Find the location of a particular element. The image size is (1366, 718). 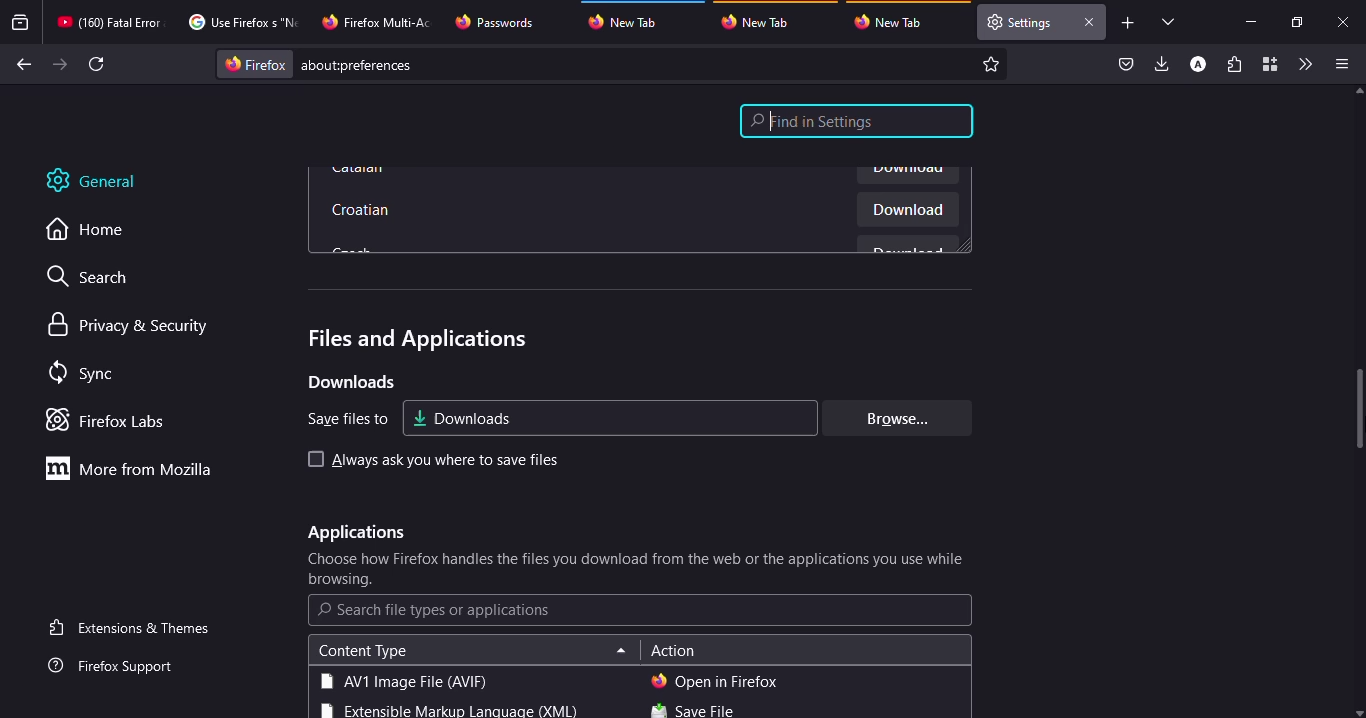

files & applications is located at coordinates (404, 335).